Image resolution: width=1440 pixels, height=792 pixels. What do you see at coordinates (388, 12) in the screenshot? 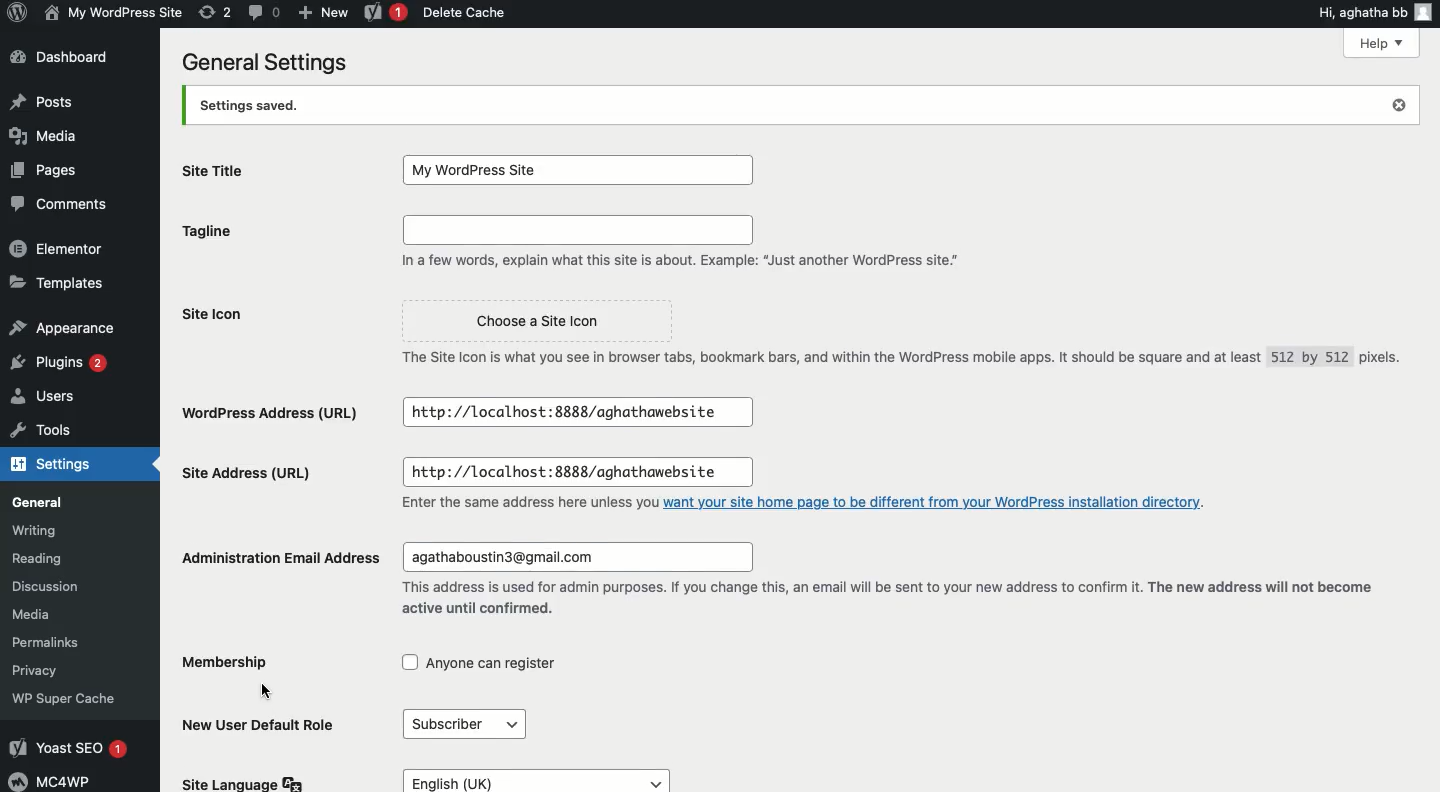
I see `Yoast` at bounding box center [388, 12].